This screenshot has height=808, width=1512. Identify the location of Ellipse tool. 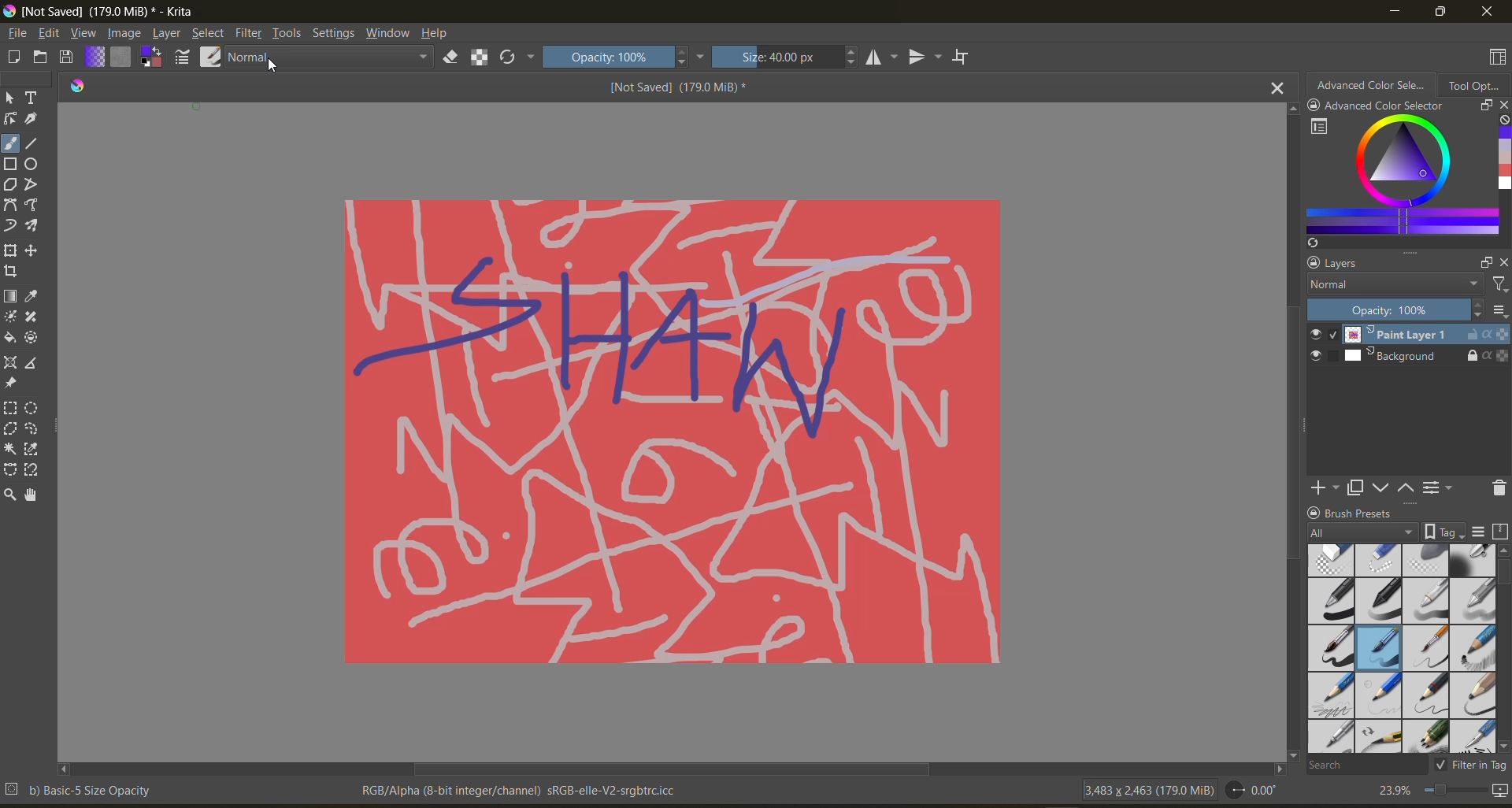
(33, 163).